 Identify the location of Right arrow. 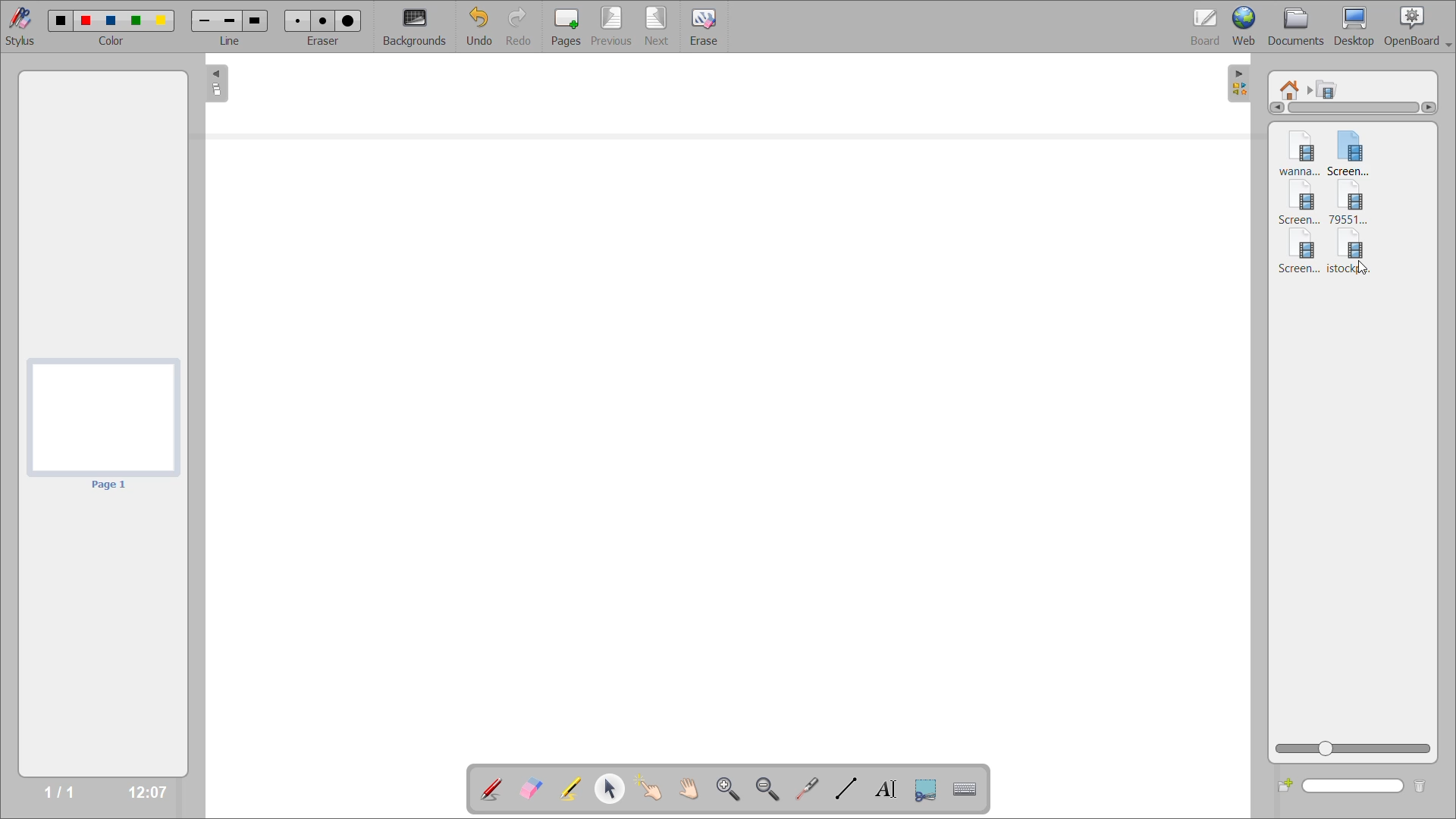
(1433, 106).